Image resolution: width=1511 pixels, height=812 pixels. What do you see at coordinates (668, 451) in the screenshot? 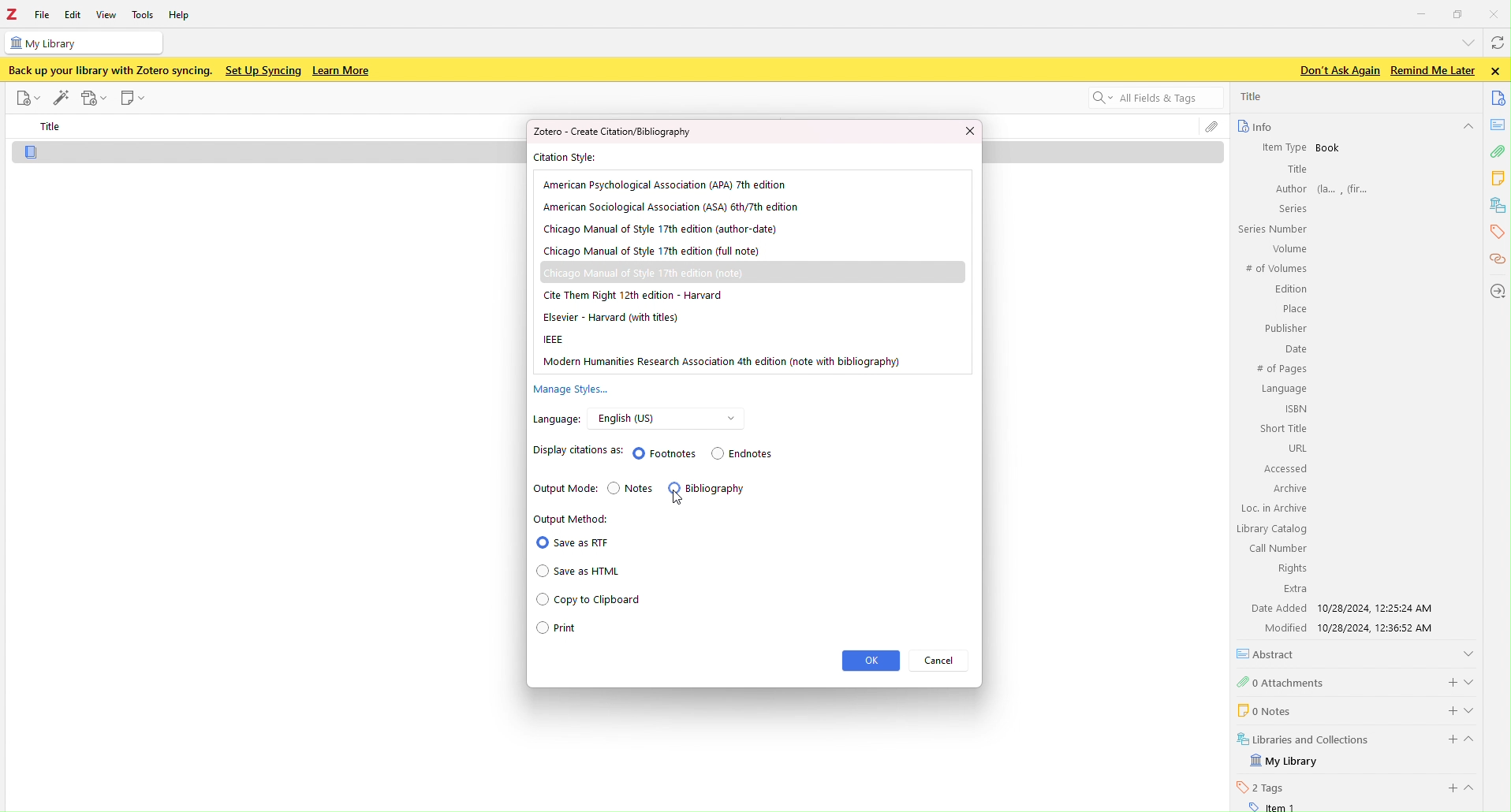
I see `display citations` at bounding box center [668, 451].